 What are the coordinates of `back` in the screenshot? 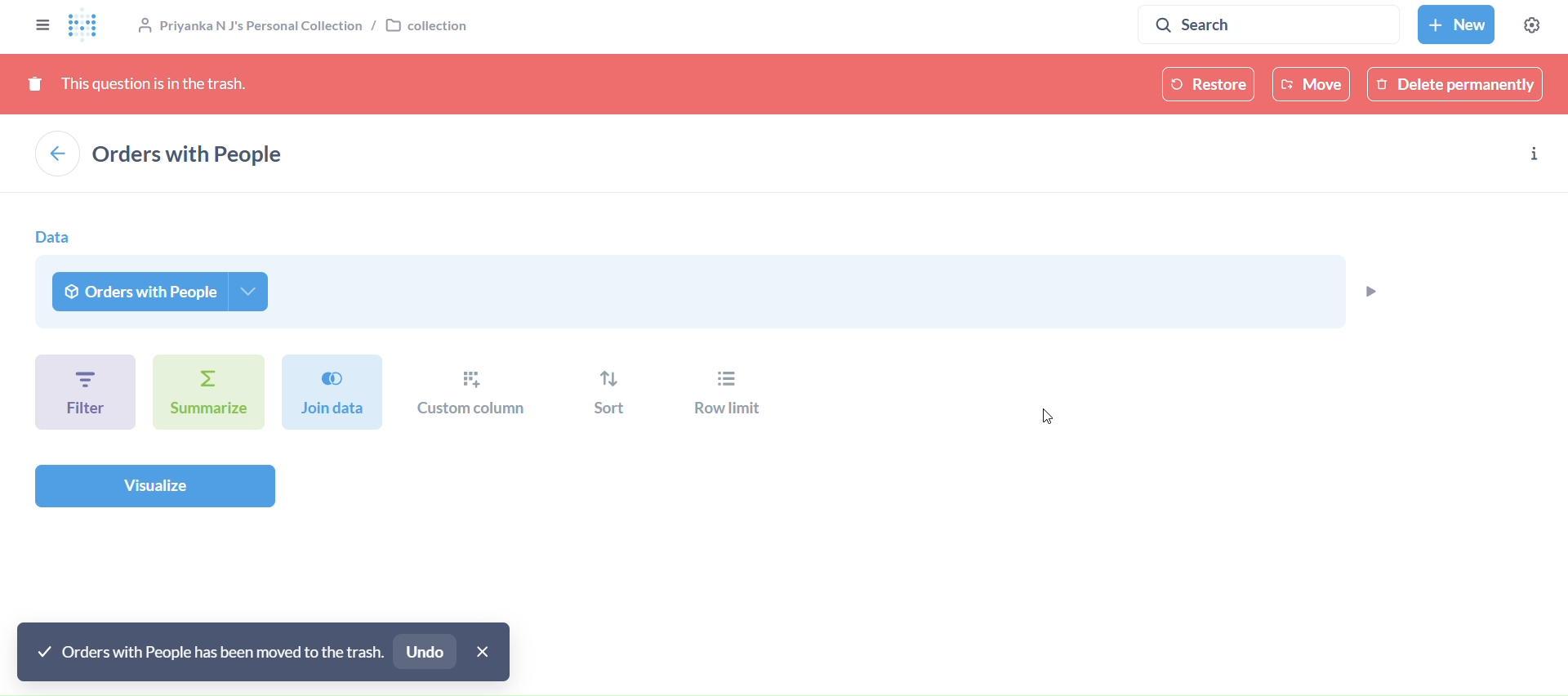 It's located at (54, 153).